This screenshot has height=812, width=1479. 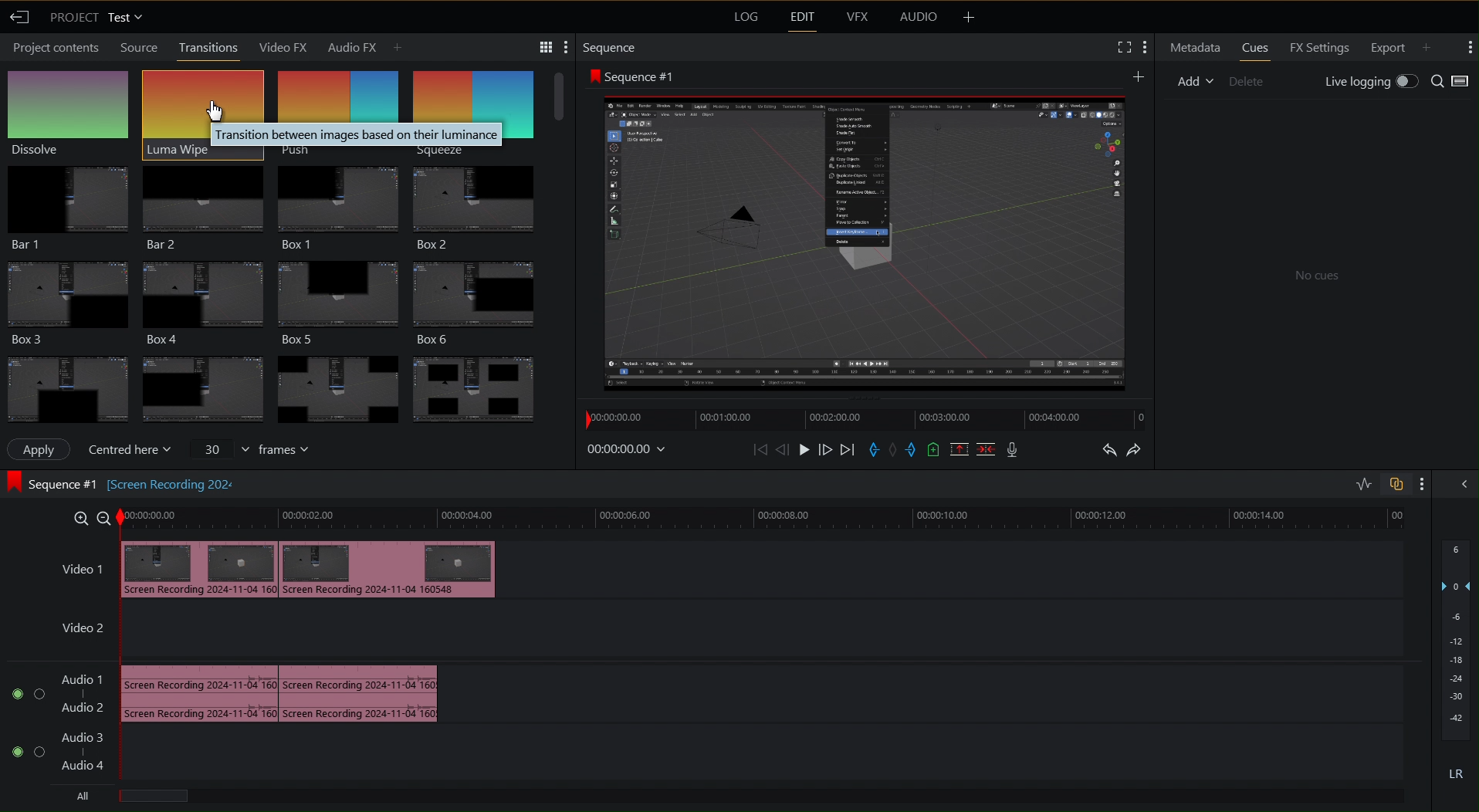 I want to click on Metadata, so click(x=1193, y=47).